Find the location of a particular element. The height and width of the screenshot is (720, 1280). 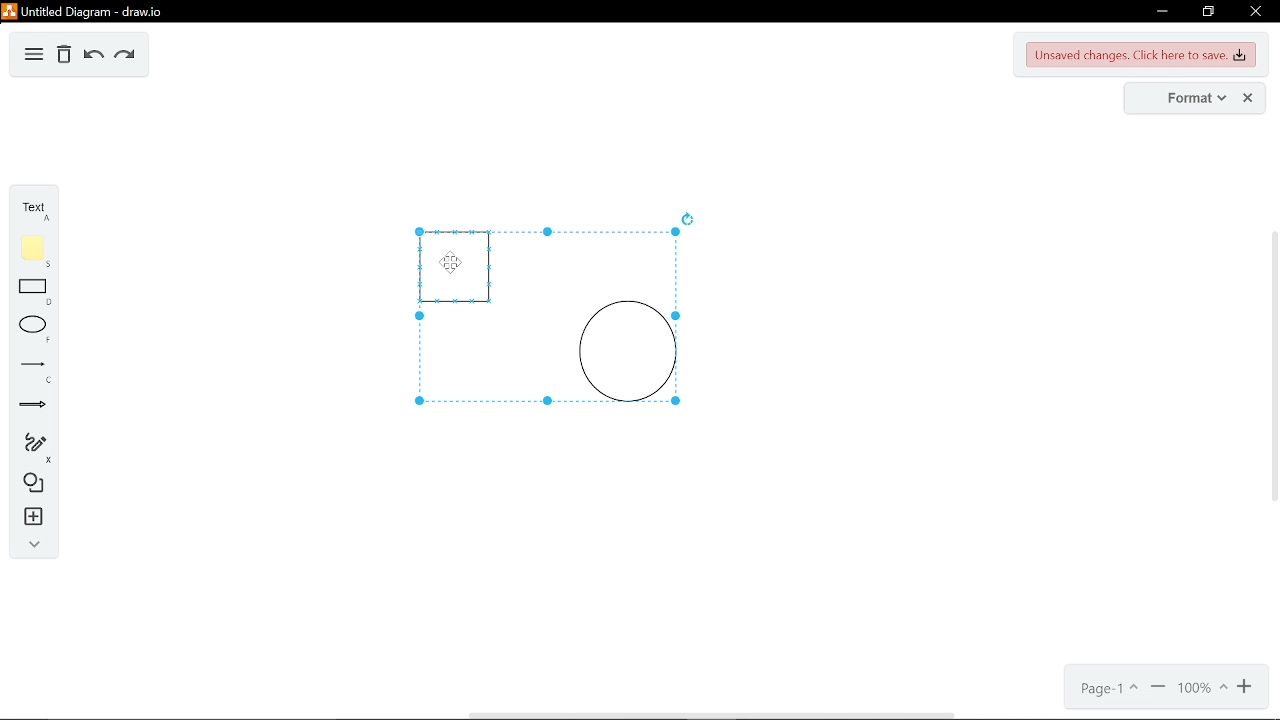

zoom out is located at coordinates (1158, 689).